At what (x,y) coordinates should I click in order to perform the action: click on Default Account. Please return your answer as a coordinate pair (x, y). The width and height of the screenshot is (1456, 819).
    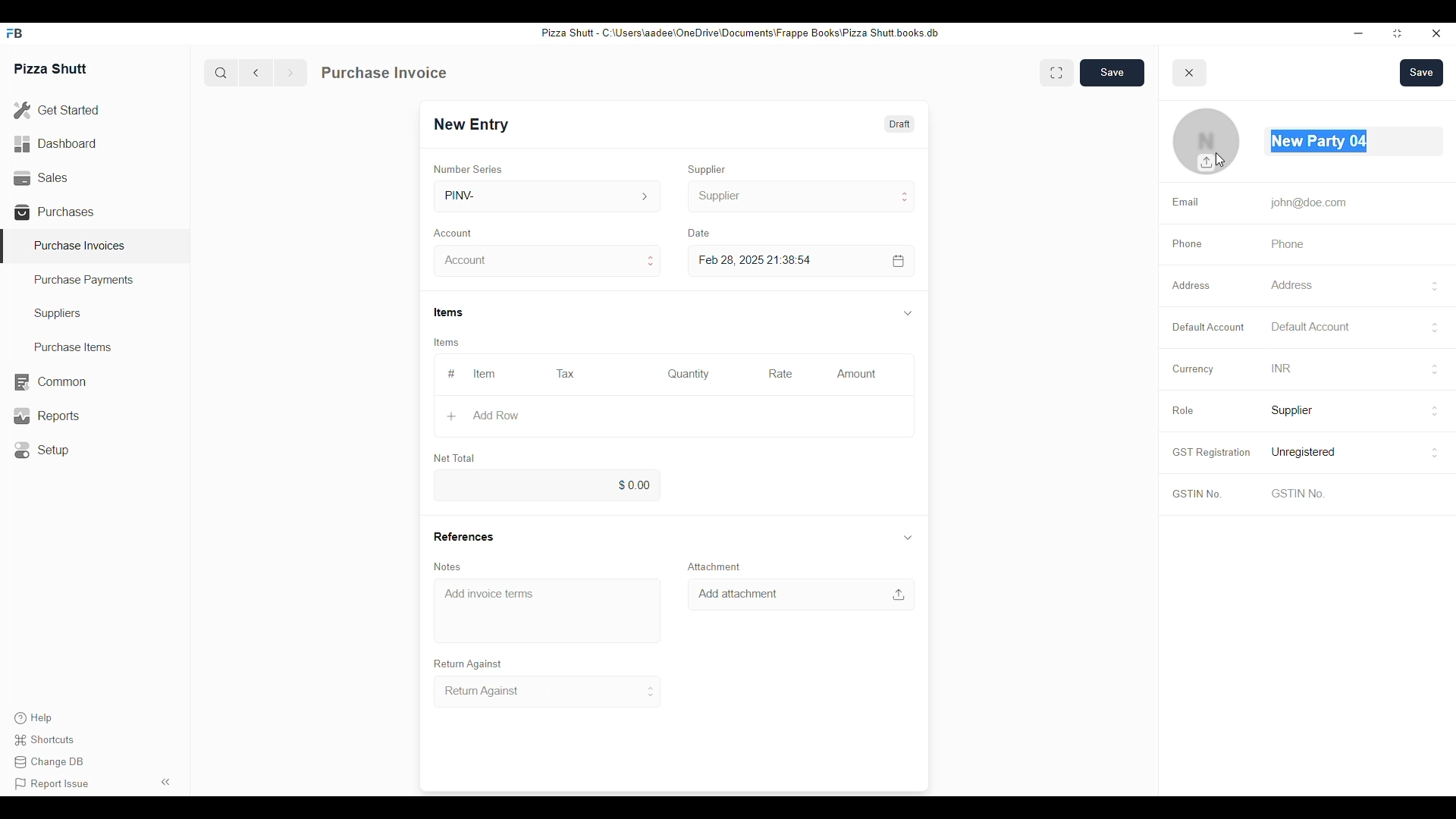
    Looking at the image, I should click on (1310, 326).